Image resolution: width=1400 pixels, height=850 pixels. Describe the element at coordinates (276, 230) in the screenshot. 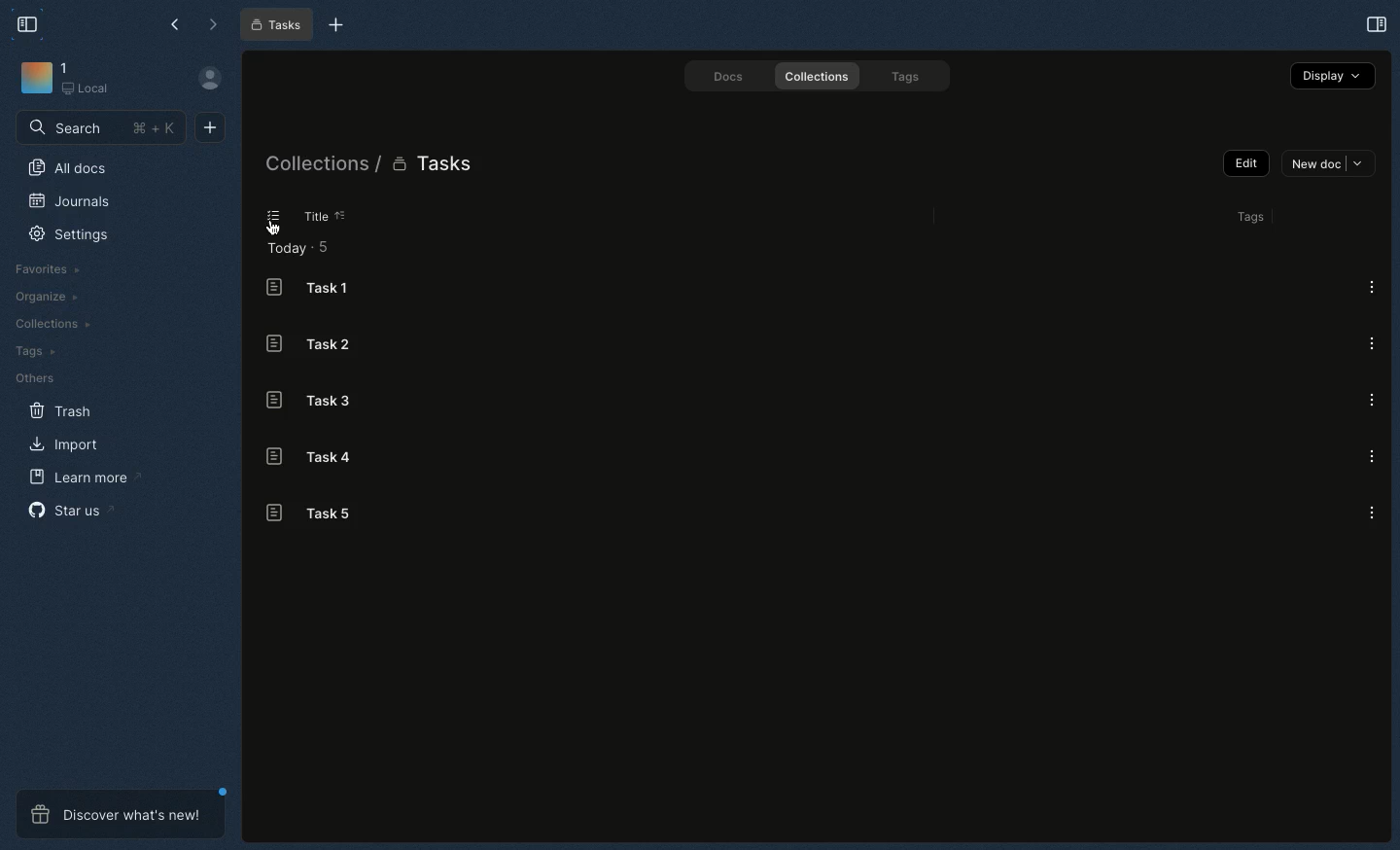

I see `cursor` at that location.